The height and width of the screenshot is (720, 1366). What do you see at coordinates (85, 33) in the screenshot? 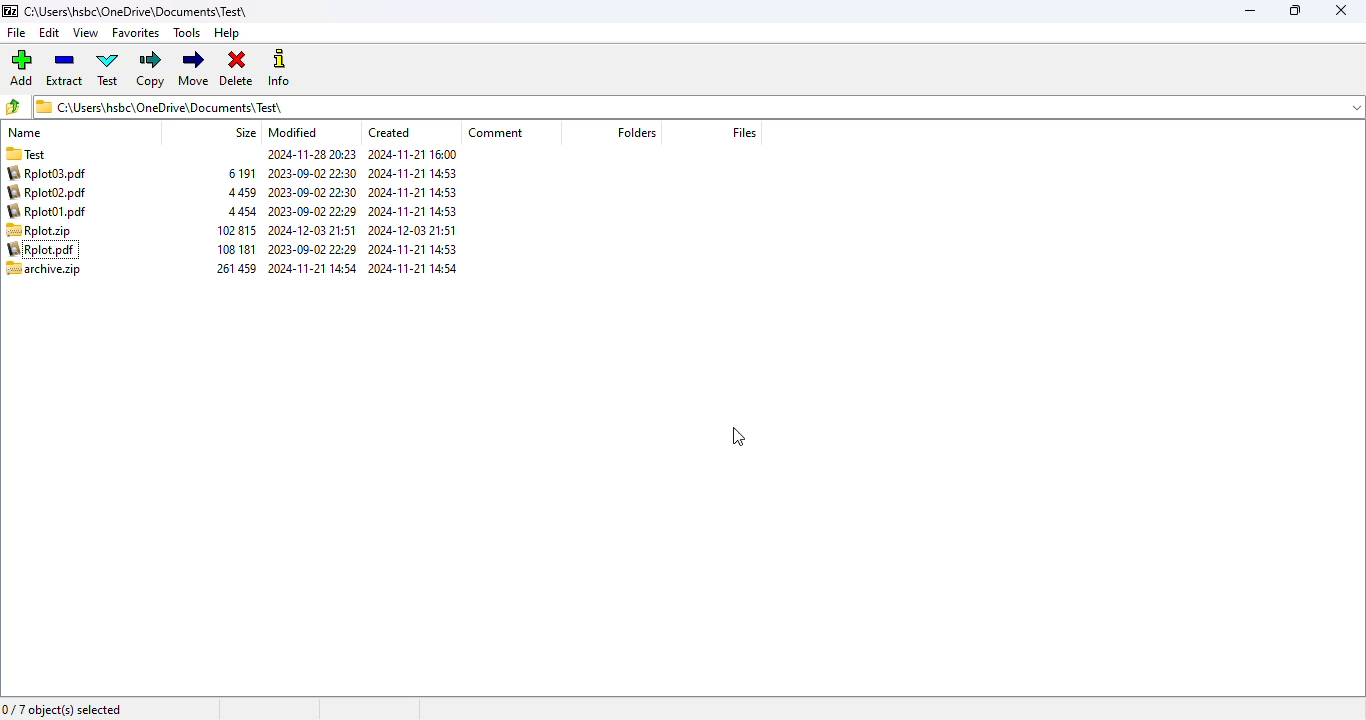
I see `view` at bounding box center [85, 33].